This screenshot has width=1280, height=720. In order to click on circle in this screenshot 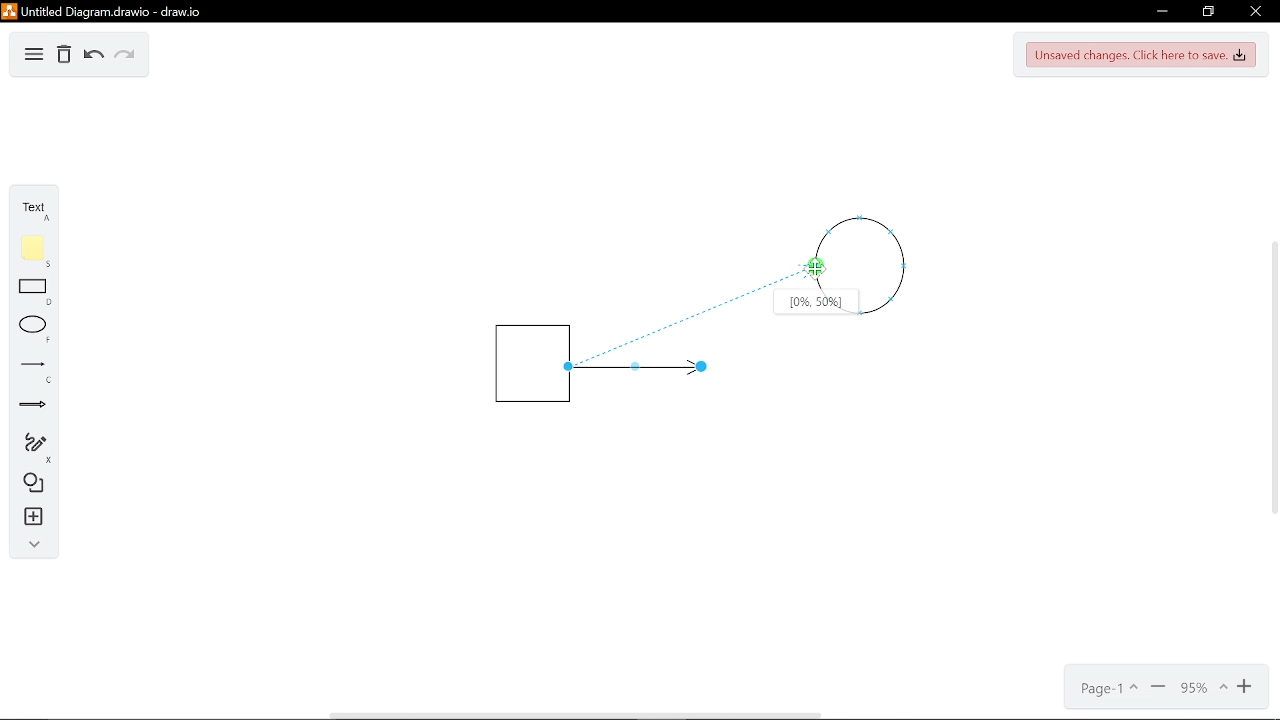, I will do `click(892, 282)`.